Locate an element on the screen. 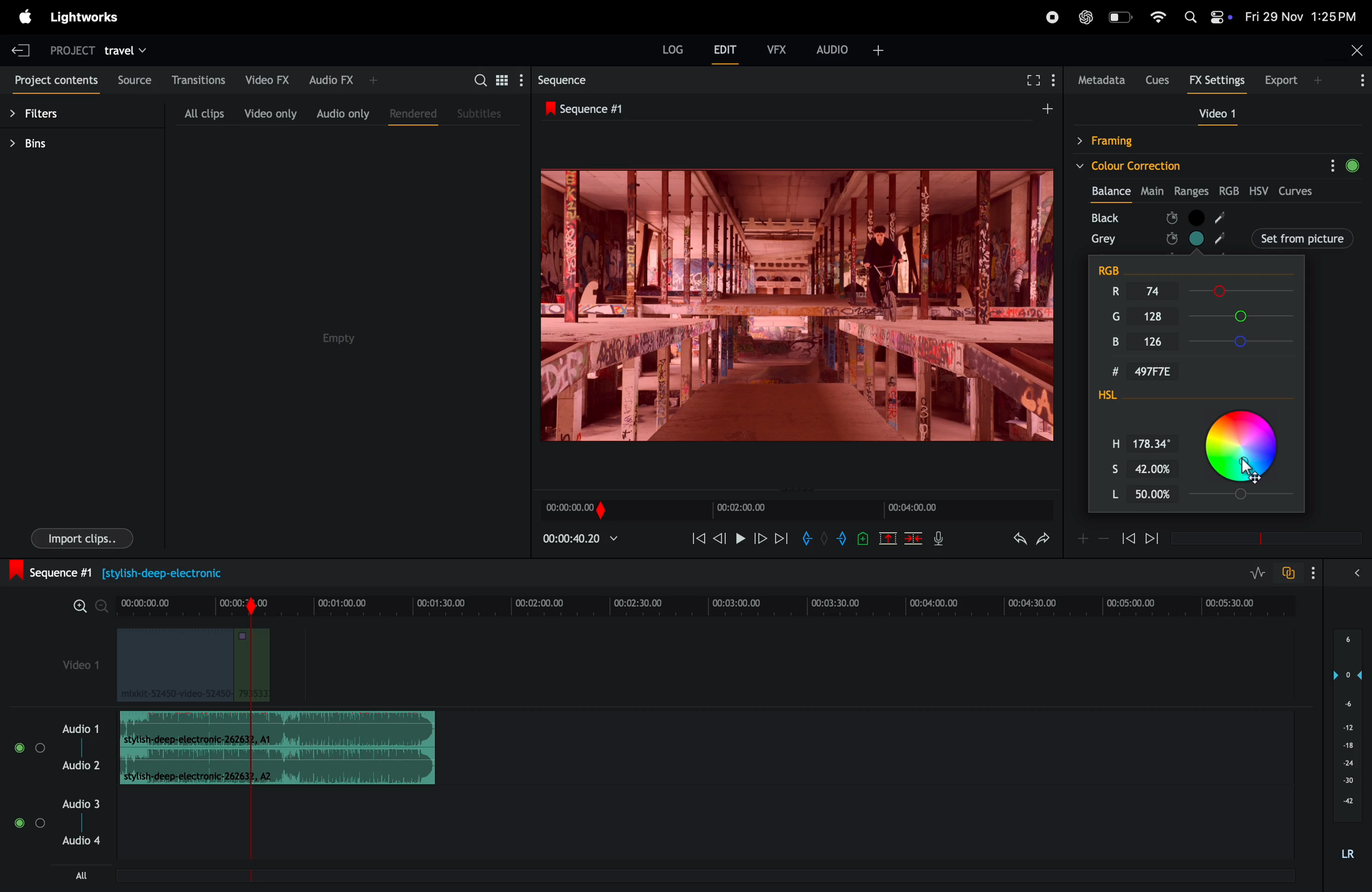 Image resolution: width=1372 pixels, height=892 pixels. rgb is located at coordinates (1231, 191).